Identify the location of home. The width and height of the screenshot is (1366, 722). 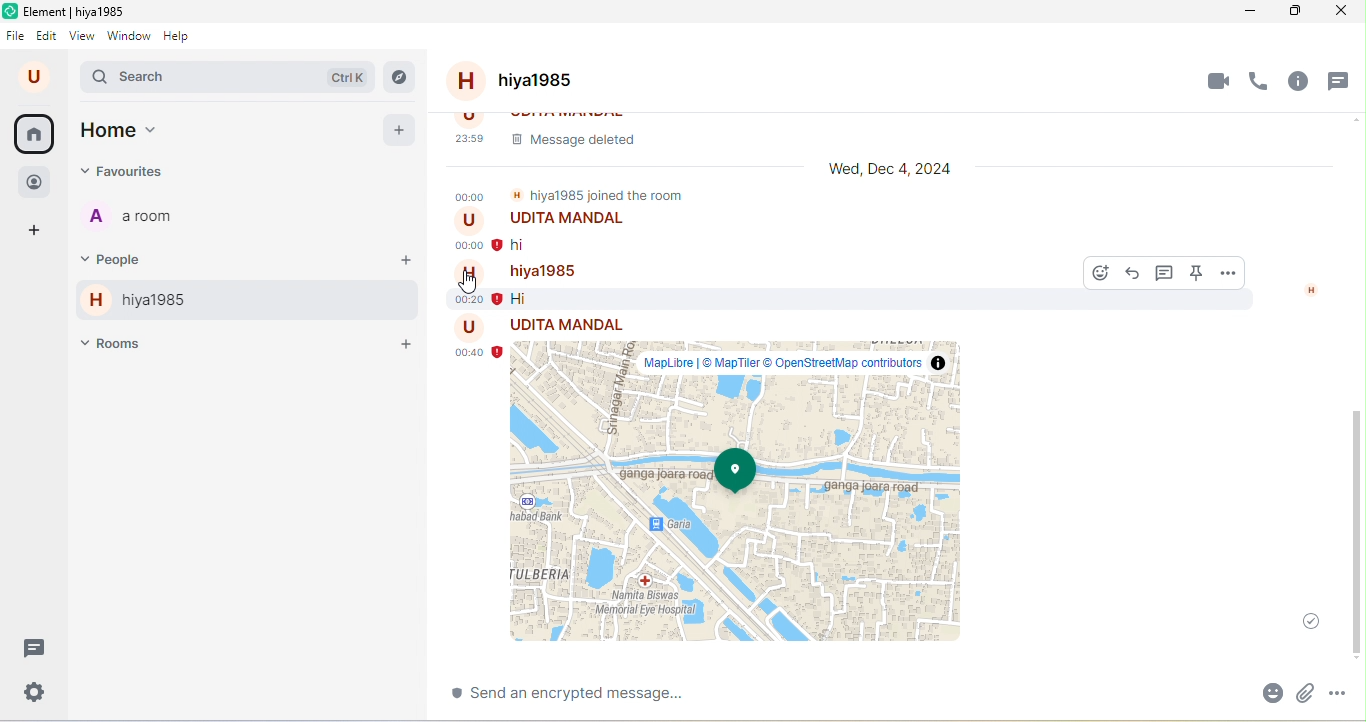
(36, 134).